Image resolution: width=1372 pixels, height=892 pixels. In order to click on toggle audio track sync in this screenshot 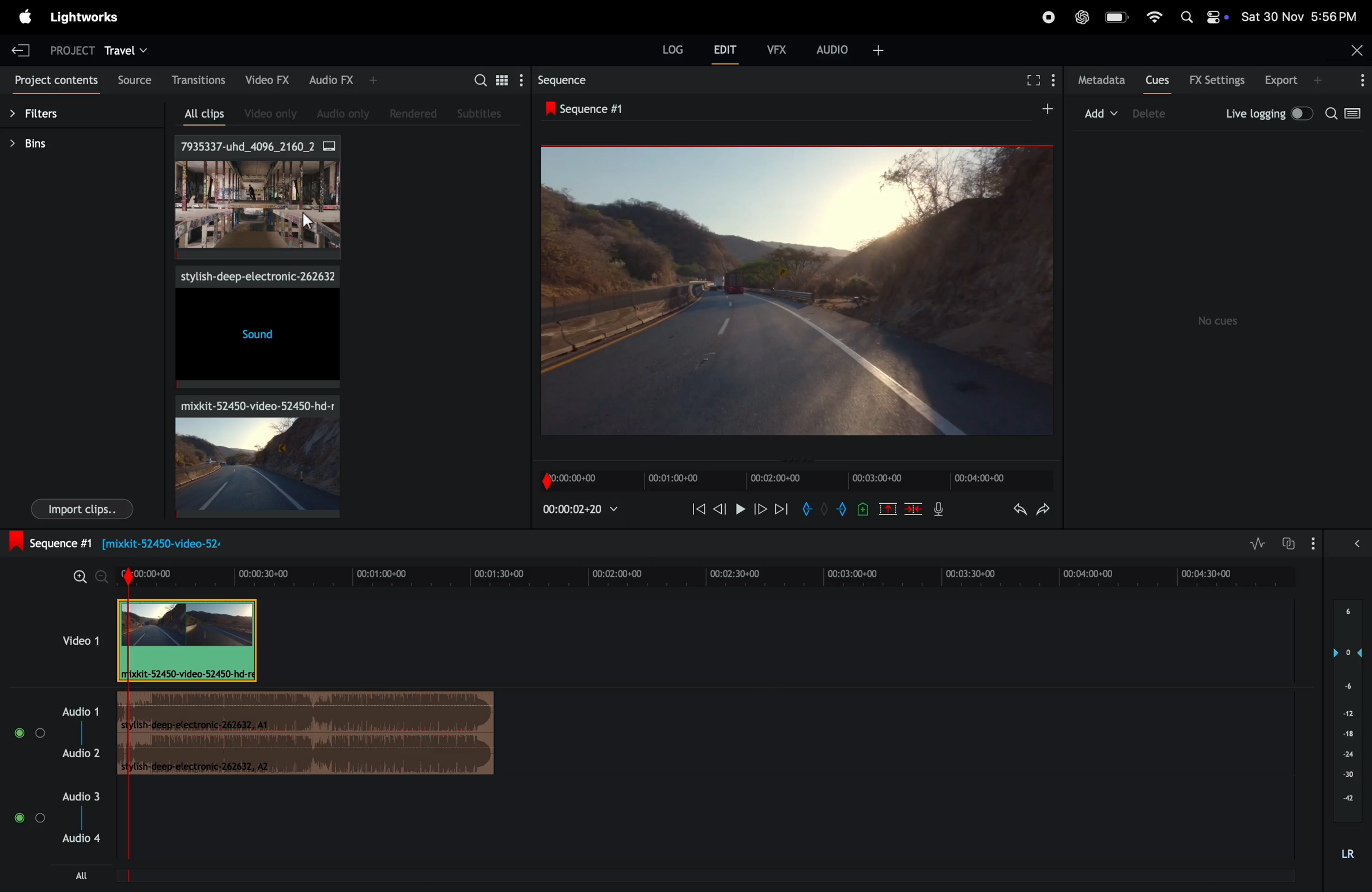, I will do `click(1291, 542)`.